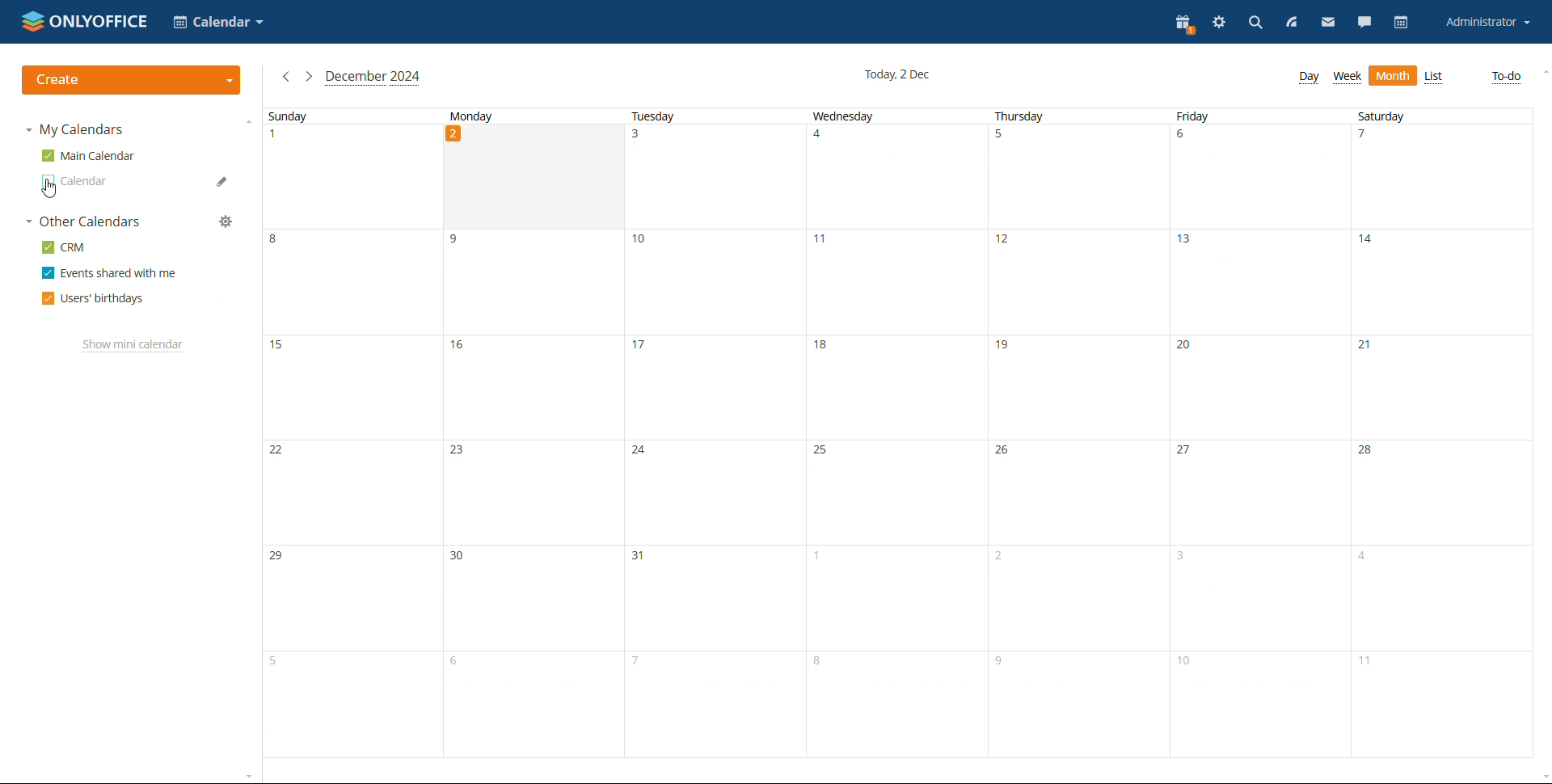 The image size is (1552, 784). What do you see at coordinates (1401, 23) in the screenshot?
I see `calendar` at bounding box center [1401, 23].